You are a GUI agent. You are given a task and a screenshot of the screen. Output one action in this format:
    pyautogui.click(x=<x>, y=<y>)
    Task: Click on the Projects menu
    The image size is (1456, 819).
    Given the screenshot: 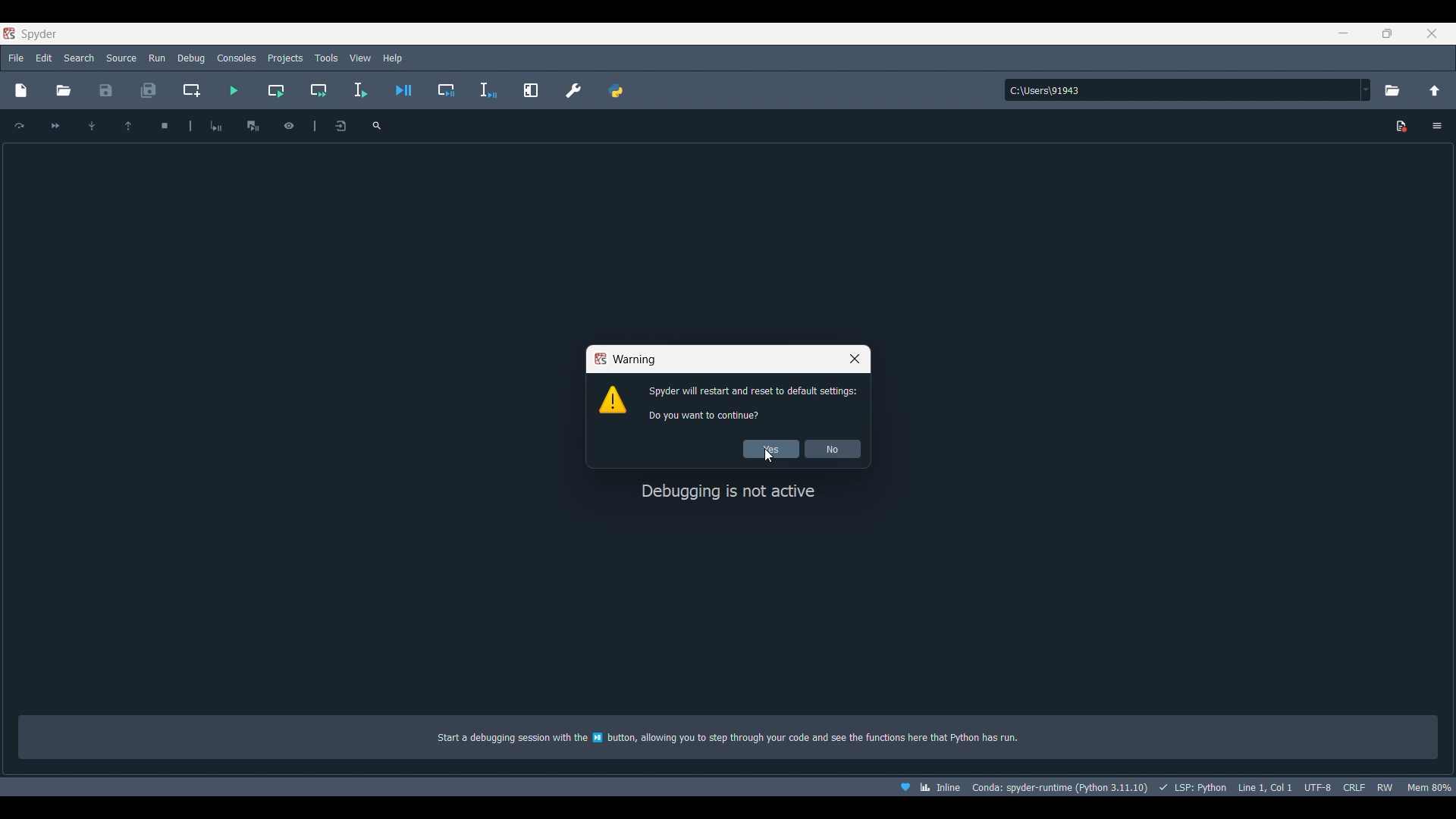 What is the action you would take?
    pyautogui.click(x=285, y=58)
    